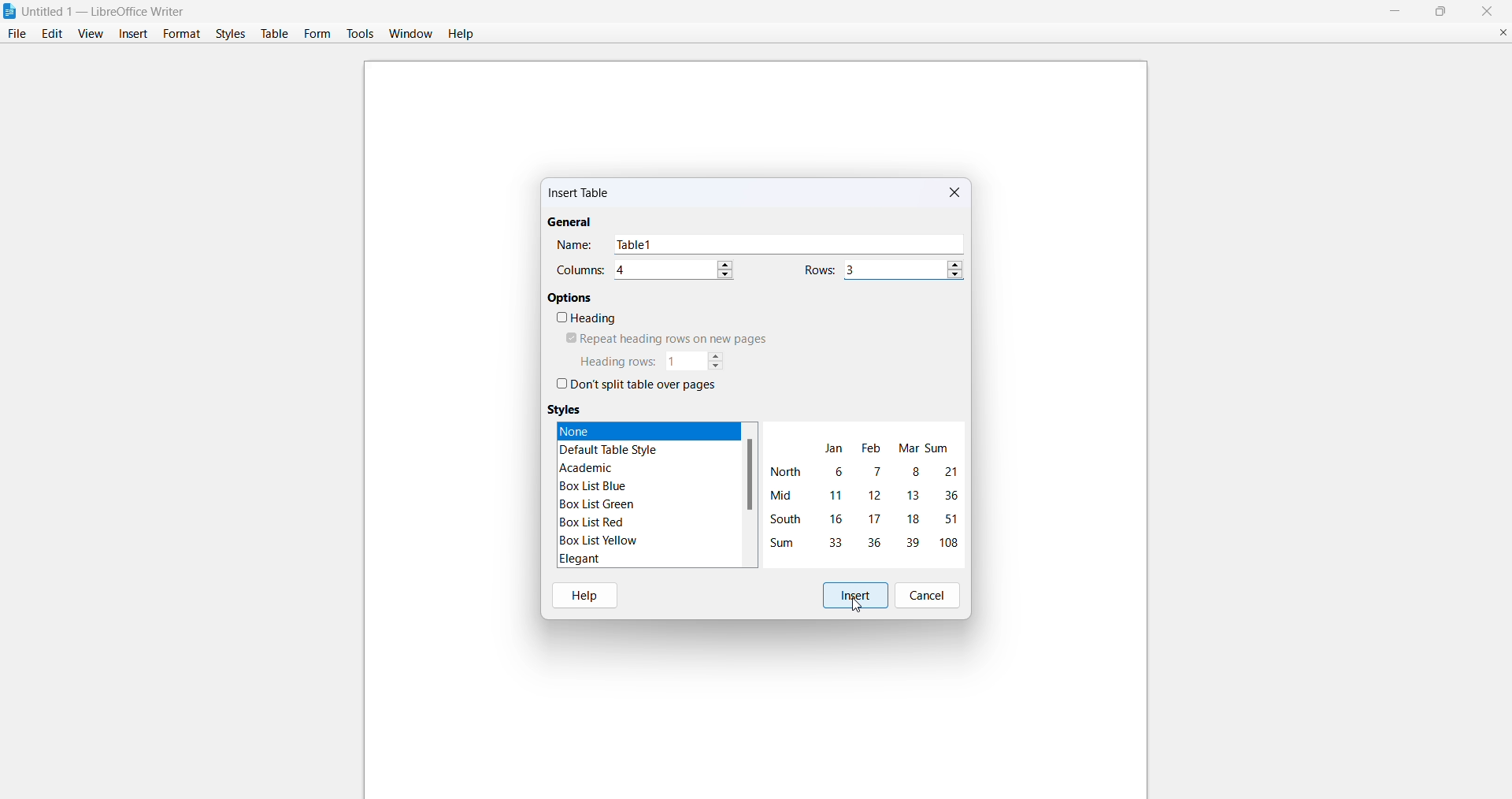  Describe the element at coordinates (15, 34) in the screenshot. I see `file` at that location.